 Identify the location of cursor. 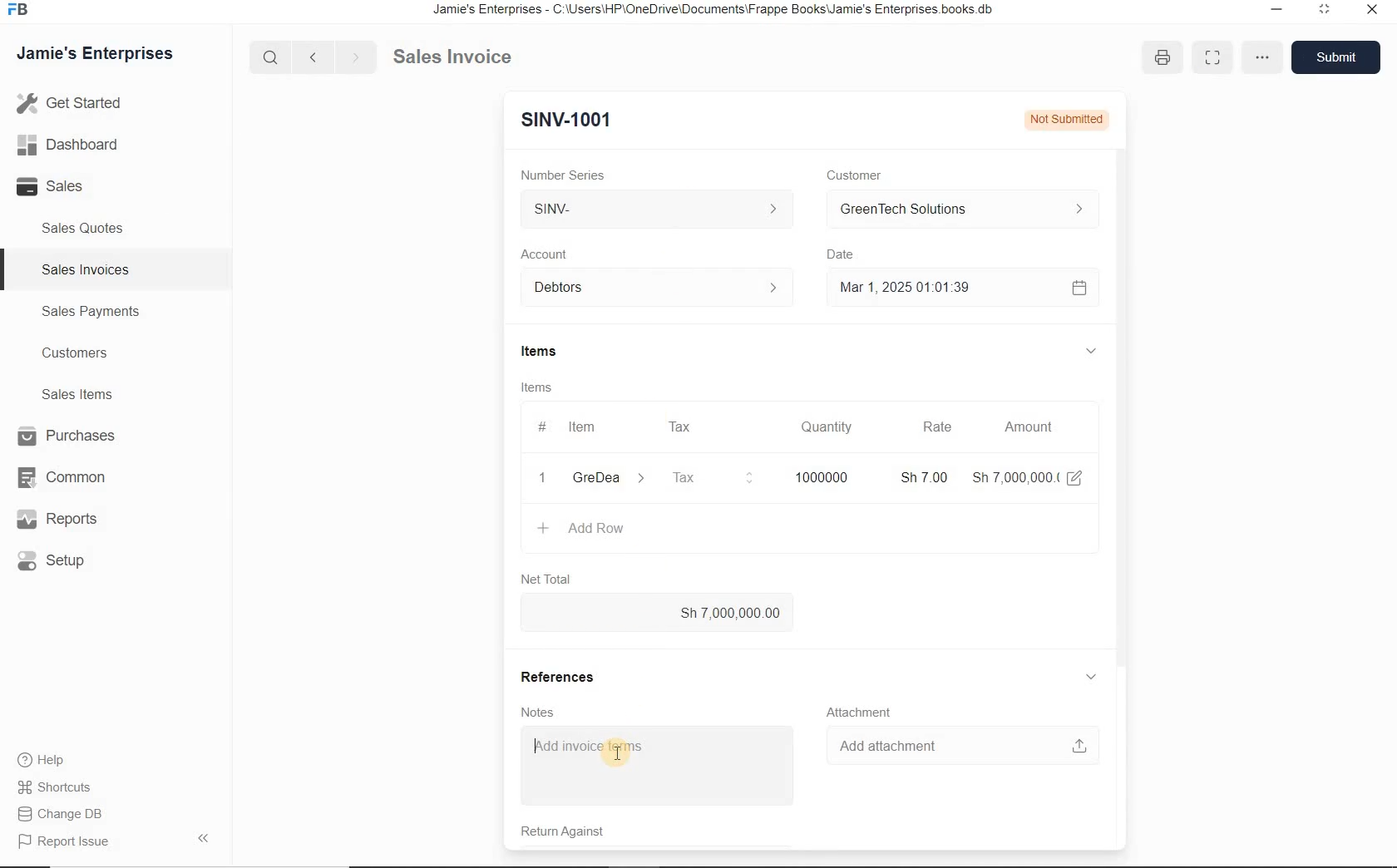
(618, 755).